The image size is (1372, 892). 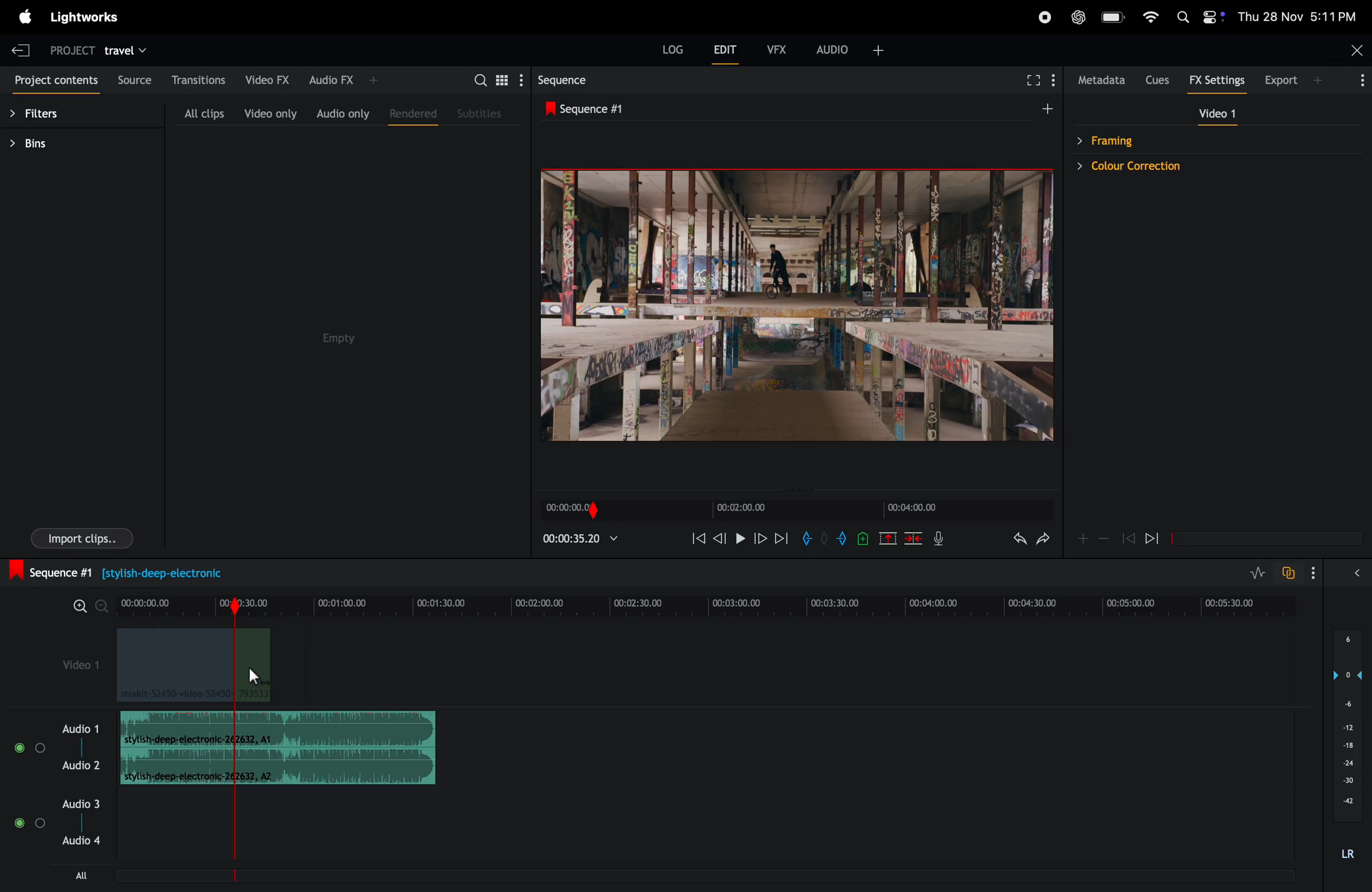 I want to click on zoom in zoom out, so click(x=87, y=605).